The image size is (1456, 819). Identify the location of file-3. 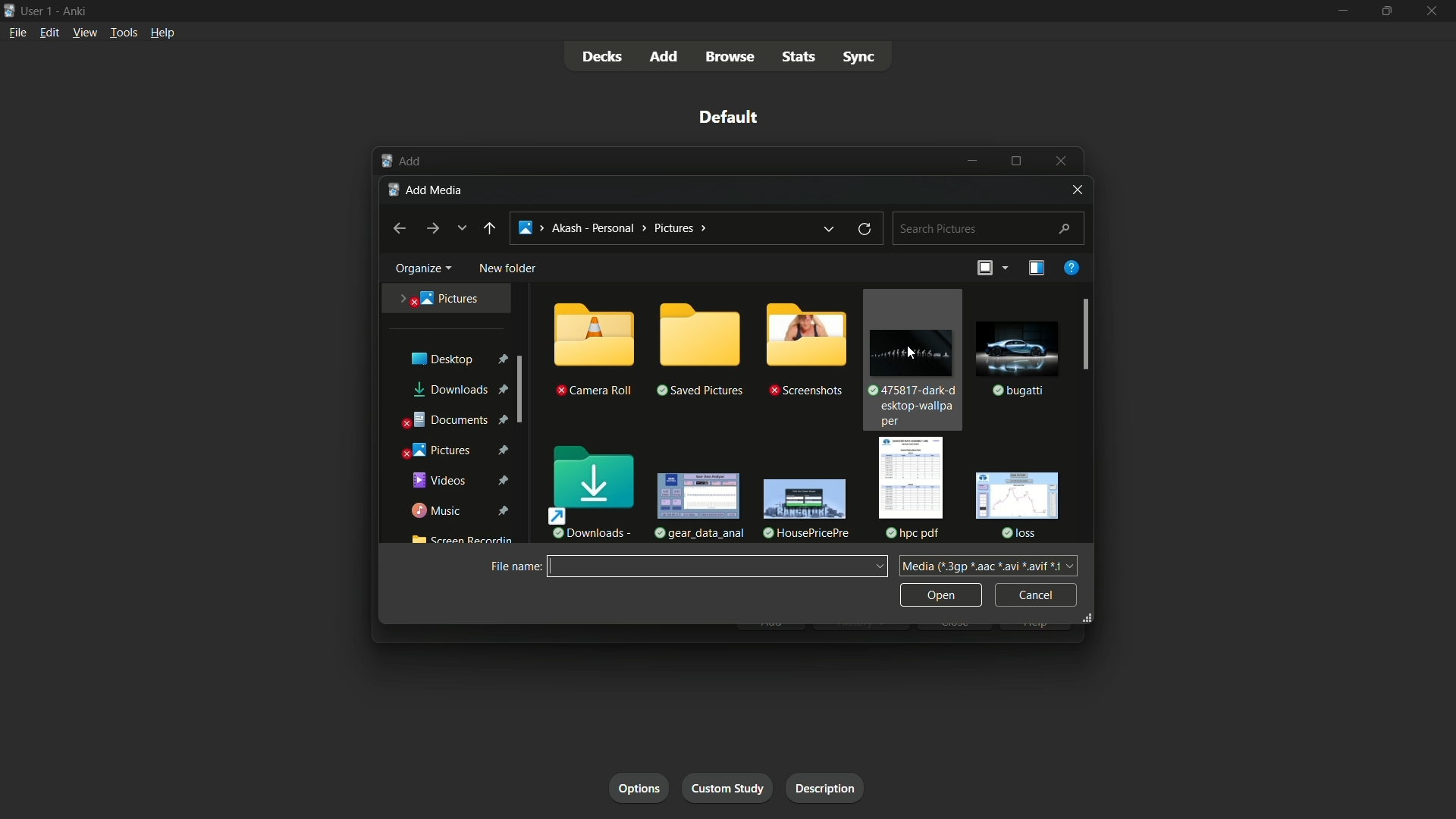
(696, 506).